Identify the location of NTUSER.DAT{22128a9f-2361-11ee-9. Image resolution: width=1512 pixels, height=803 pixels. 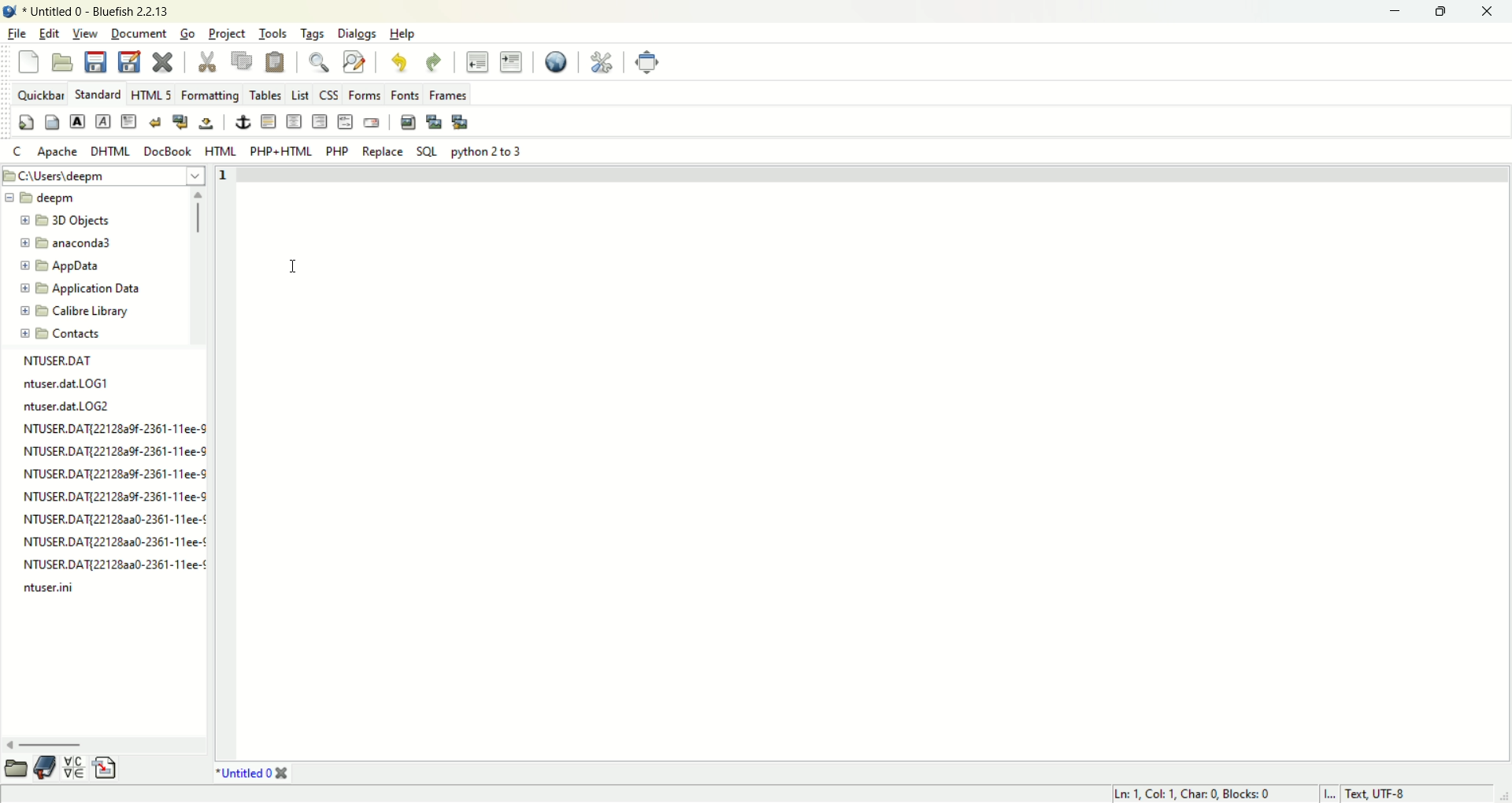
(115, 456).